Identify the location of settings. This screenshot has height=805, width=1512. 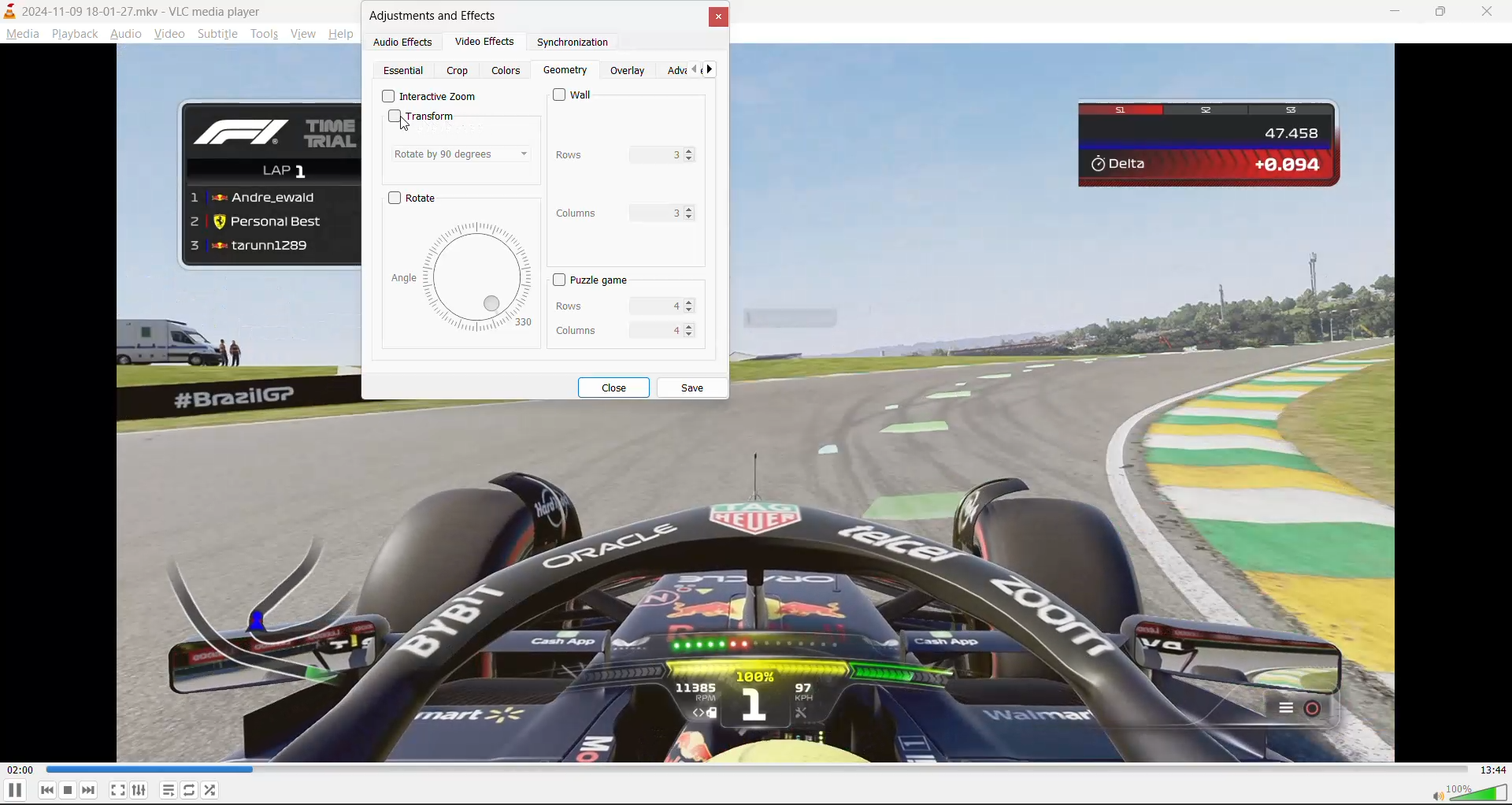
(140, 791).